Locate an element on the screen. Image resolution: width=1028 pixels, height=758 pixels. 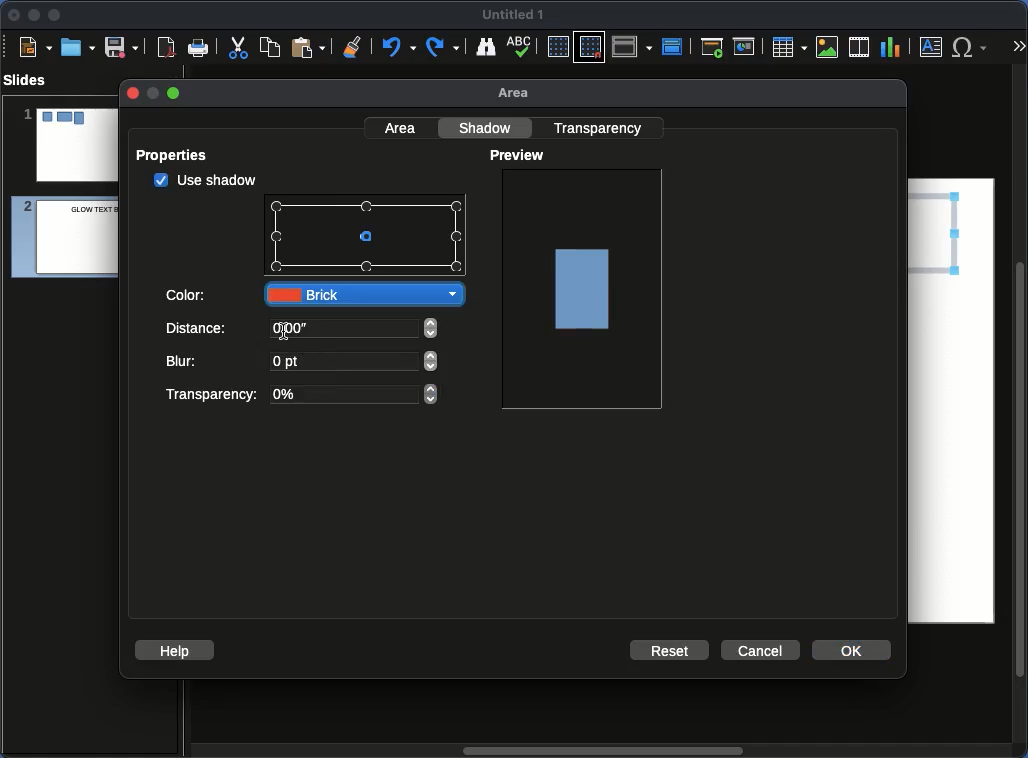
New is located at coordinates (35, 46).